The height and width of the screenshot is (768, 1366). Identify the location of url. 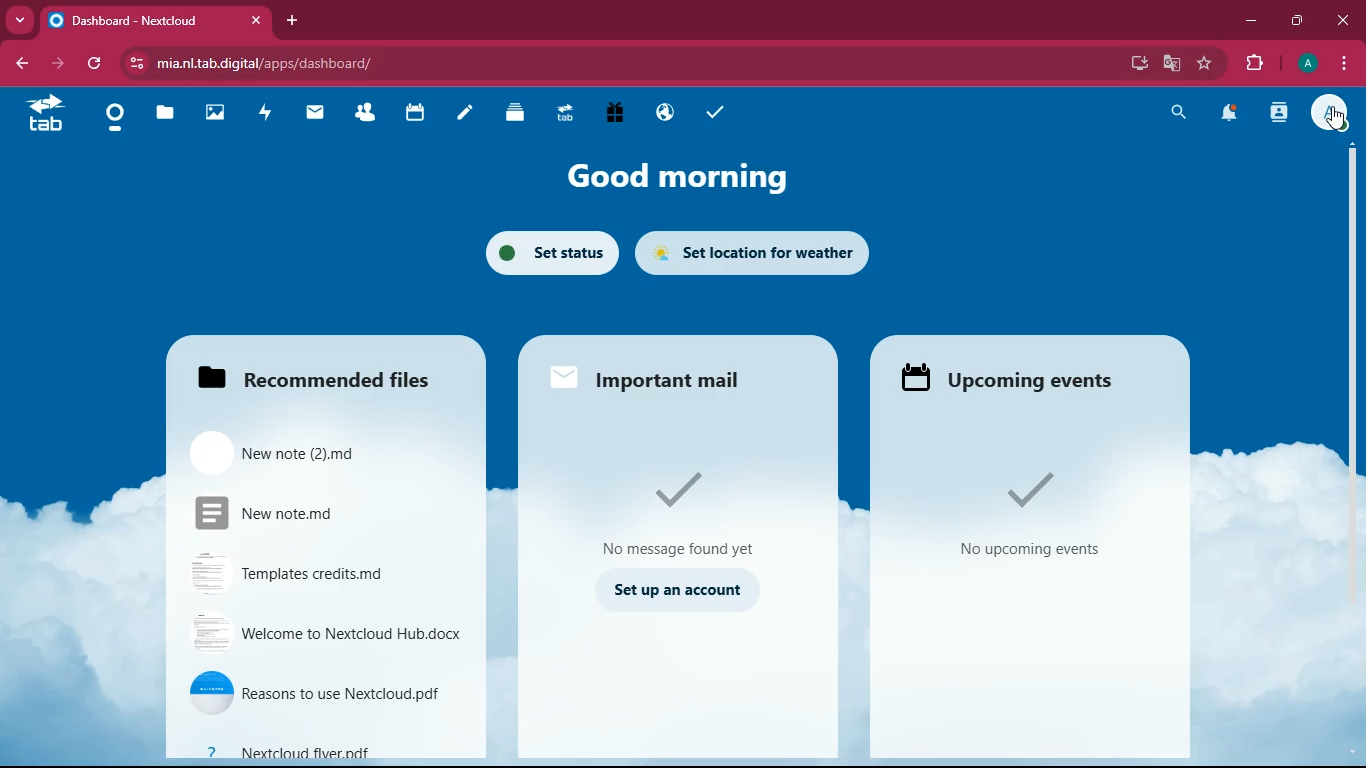
(363, 61).